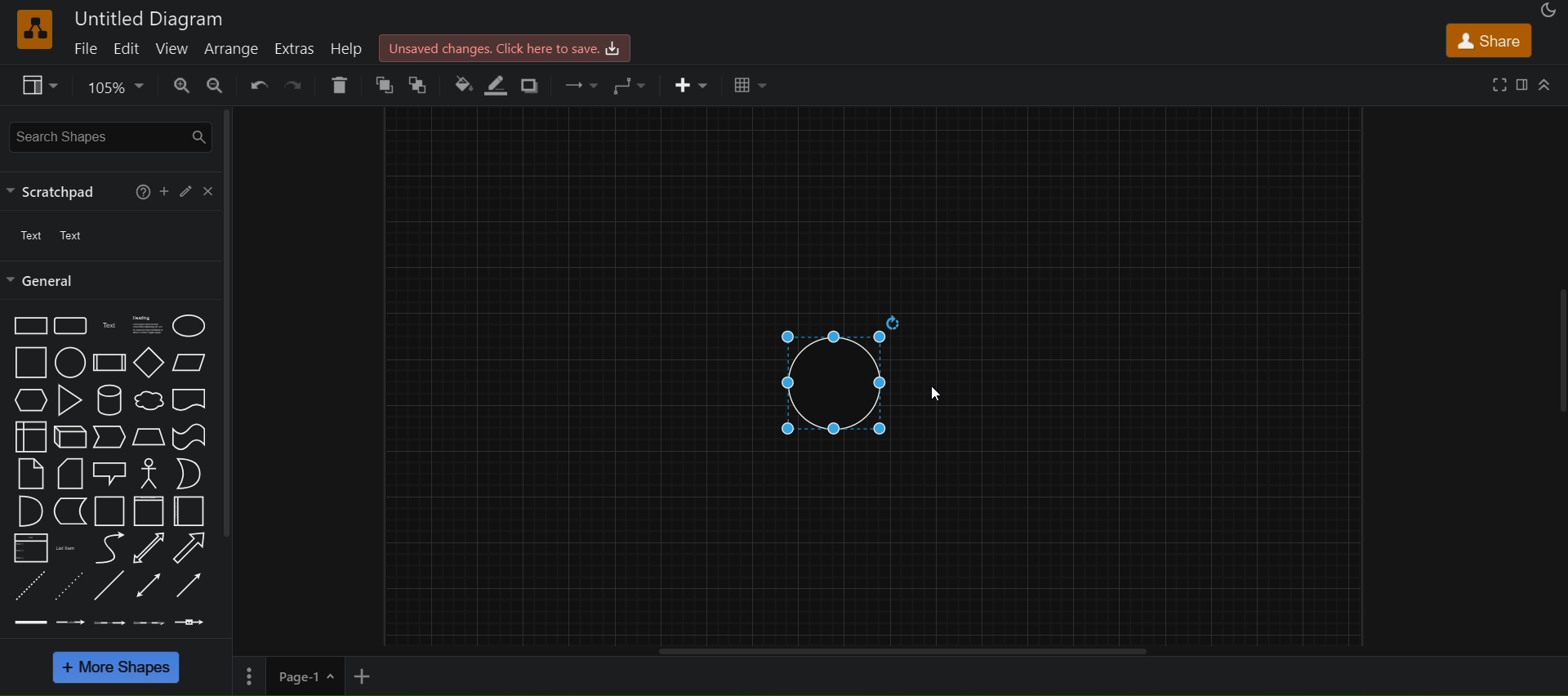  I want to click on untitled diagram, so click(153, 16).